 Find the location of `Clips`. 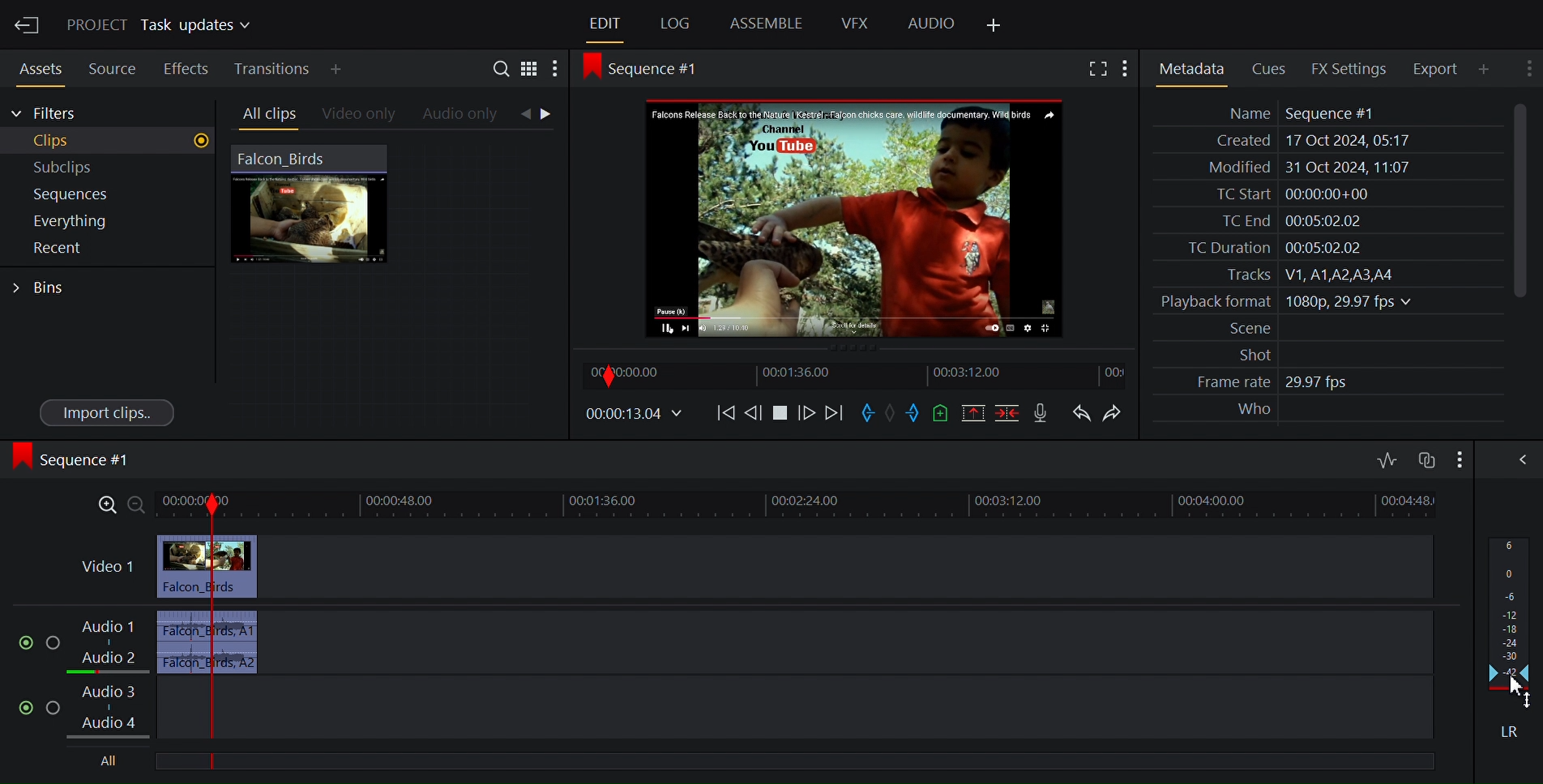

Clips is located at coordinates (107, 141).